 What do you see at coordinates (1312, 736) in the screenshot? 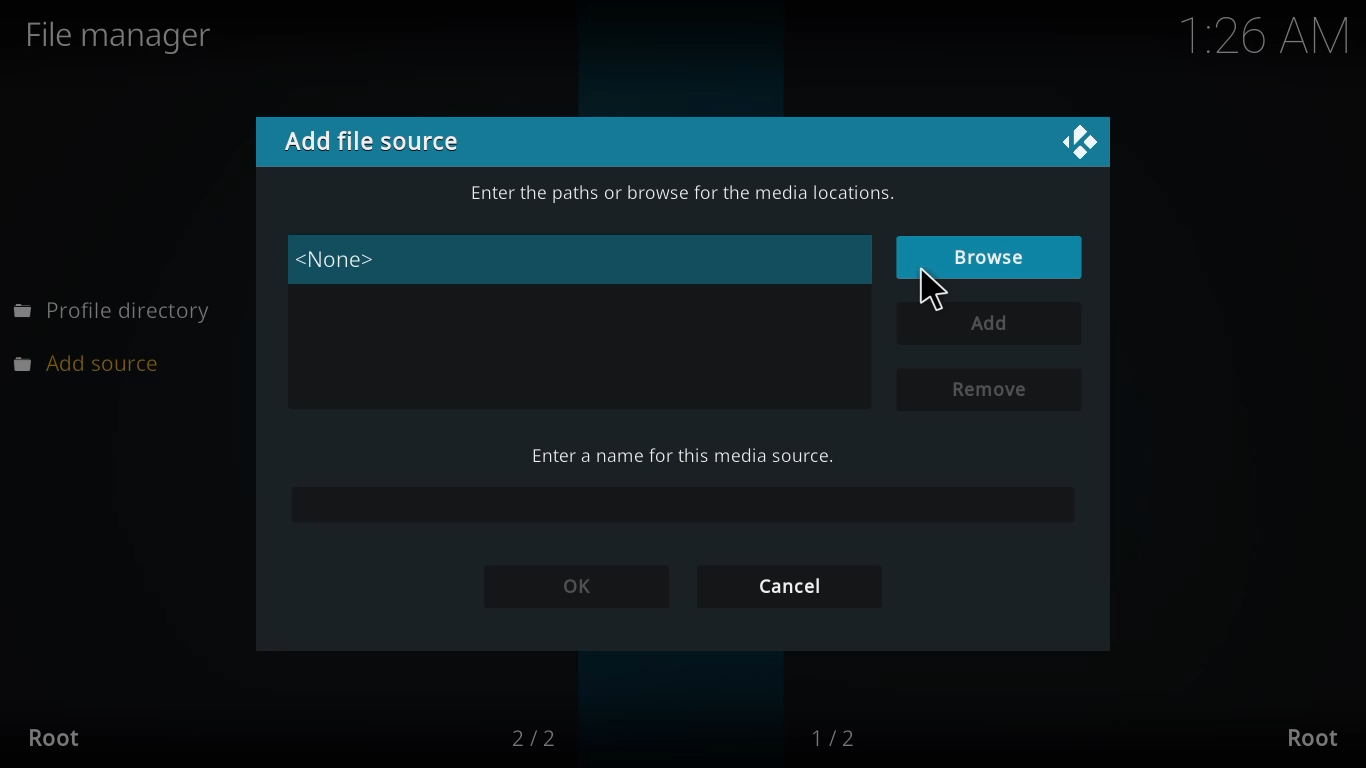
I see `root` at bounding box center [1312, 736].